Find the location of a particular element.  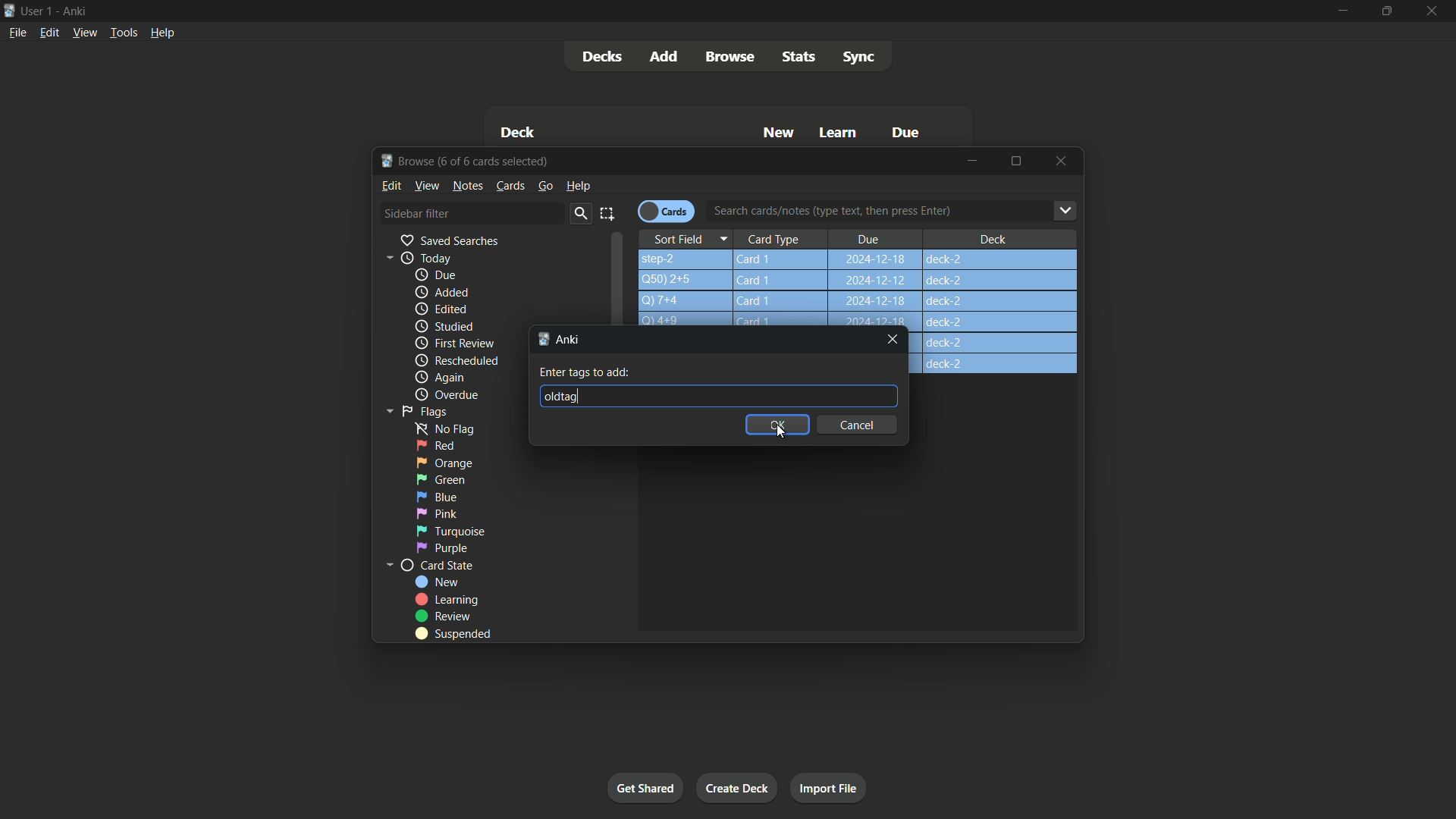

Deck is located at coordinates (992, 238).